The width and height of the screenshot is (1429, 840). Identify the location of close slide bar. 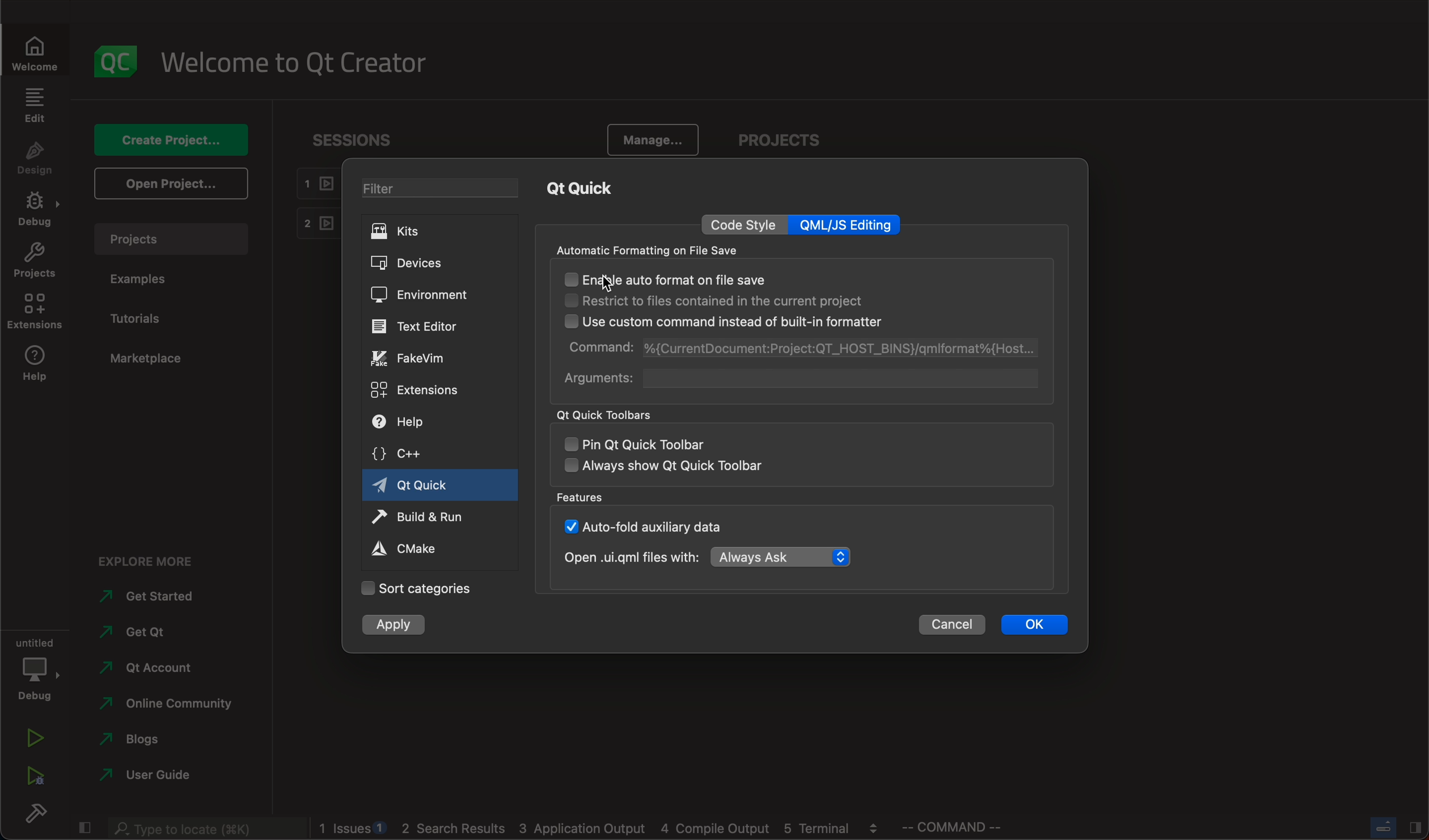
(84, 826).